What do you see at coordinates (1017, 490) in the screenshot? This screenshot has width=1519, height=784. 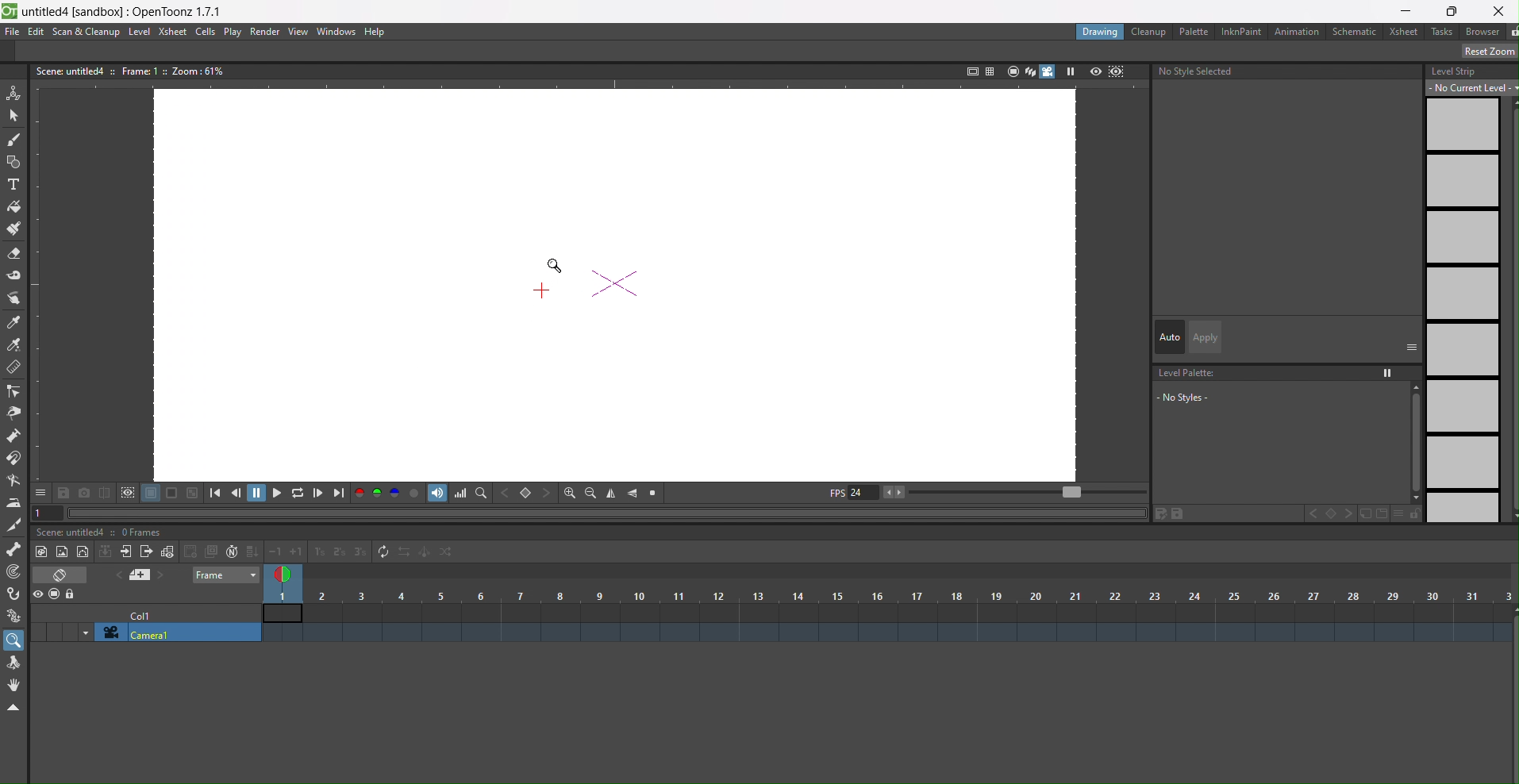 I see `playback range slider` at bounding box center [1017, 490].